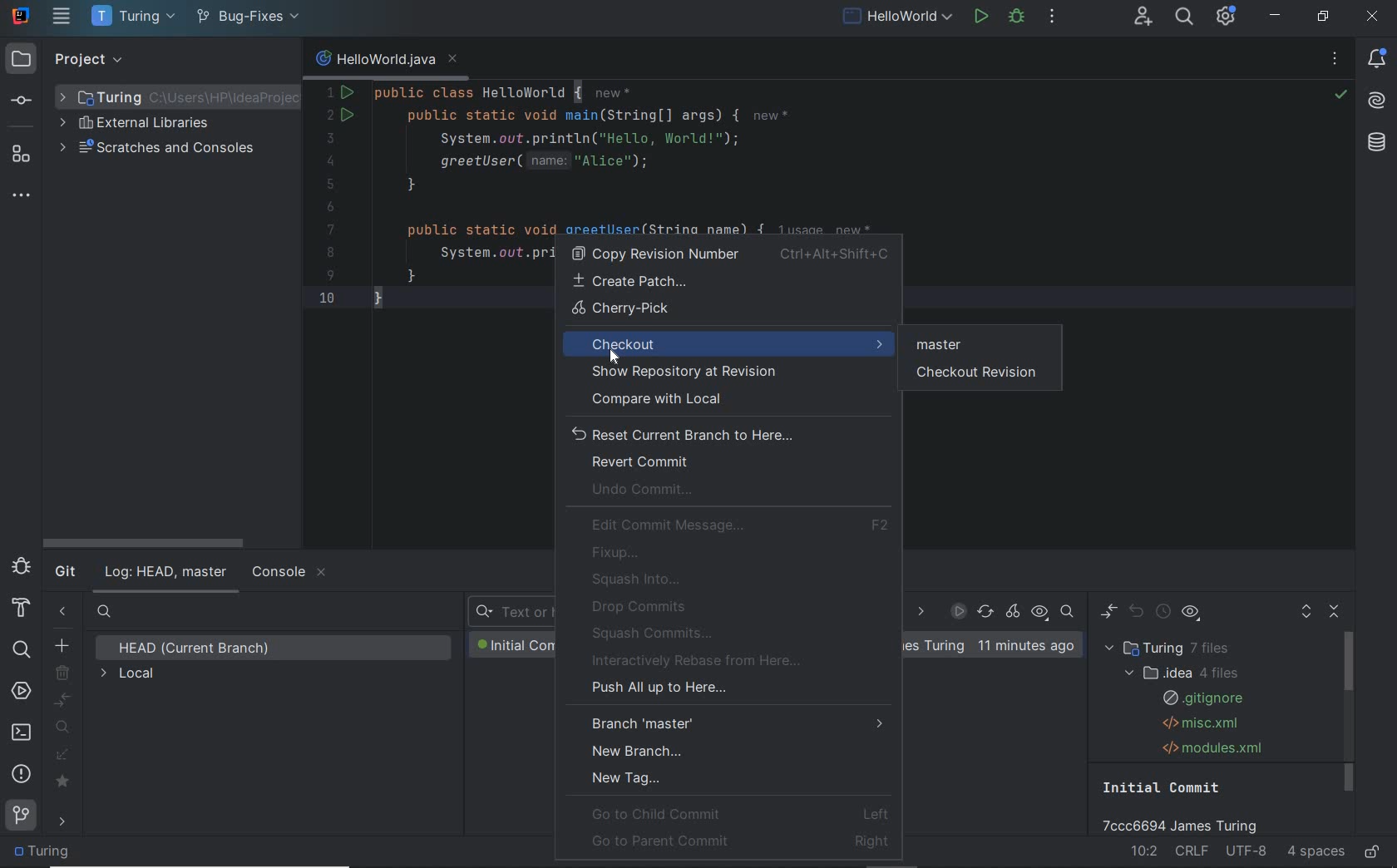 This screenshot has height=868, width=1397. What do you see at coordinates (1247, 852) in the screenshot?
I see `file encoding` at bounding box center [1247, 852].